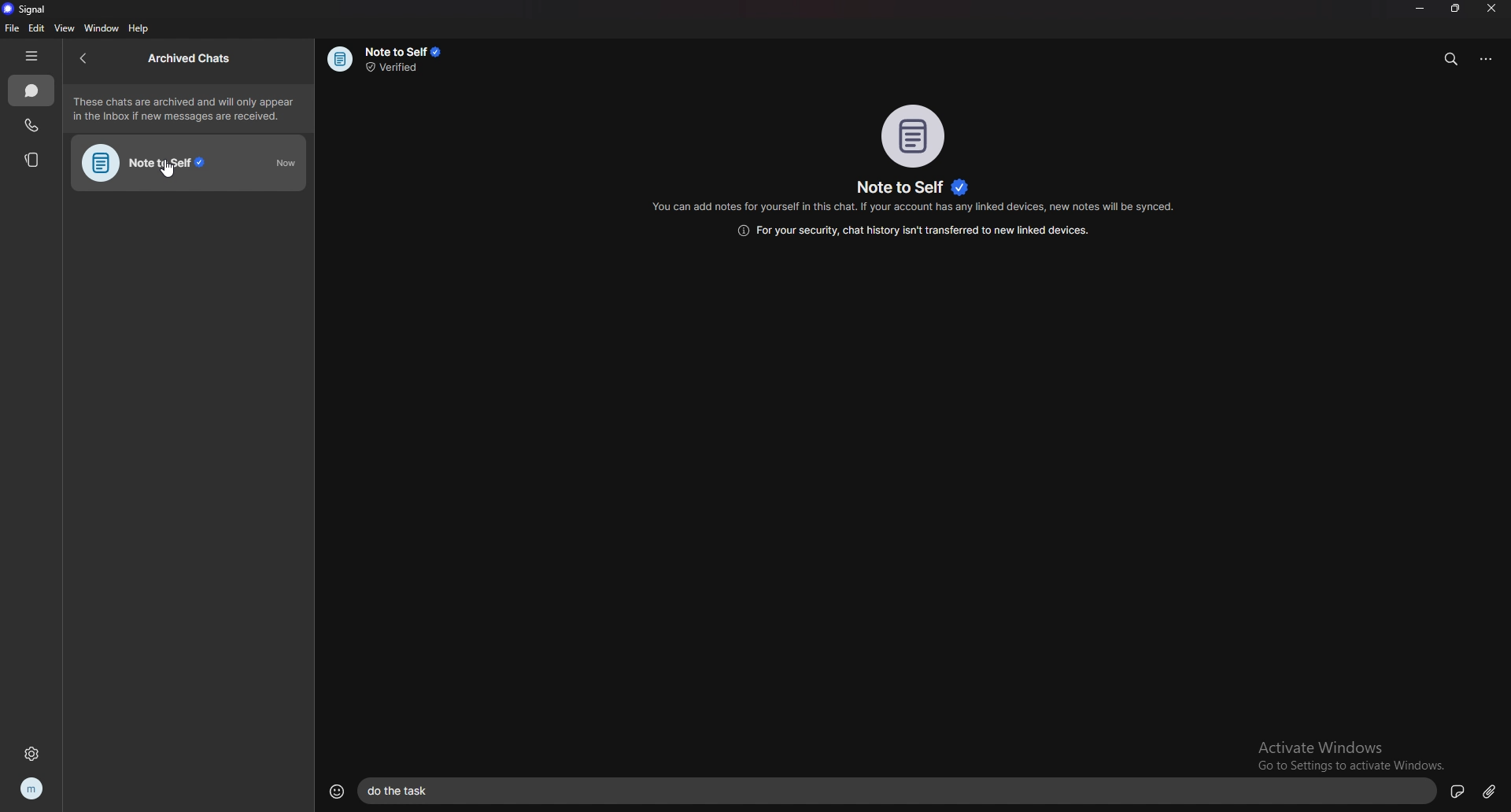 This screenshot has width=1511, height=812. I want to click on close, so click(1493, 8).